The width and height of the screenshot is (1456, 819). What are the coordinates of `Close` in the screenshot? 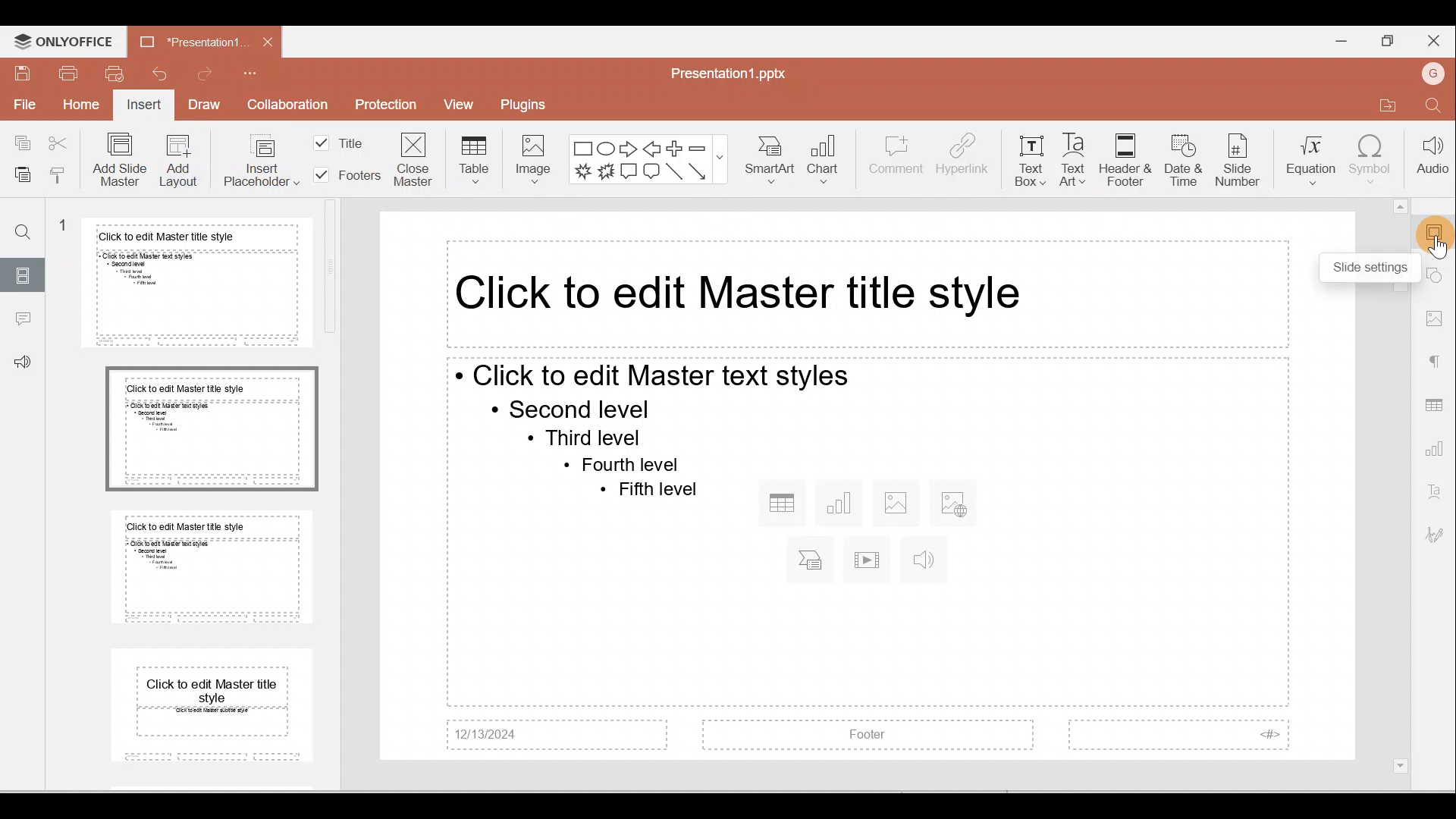 It's located at (268, 39).